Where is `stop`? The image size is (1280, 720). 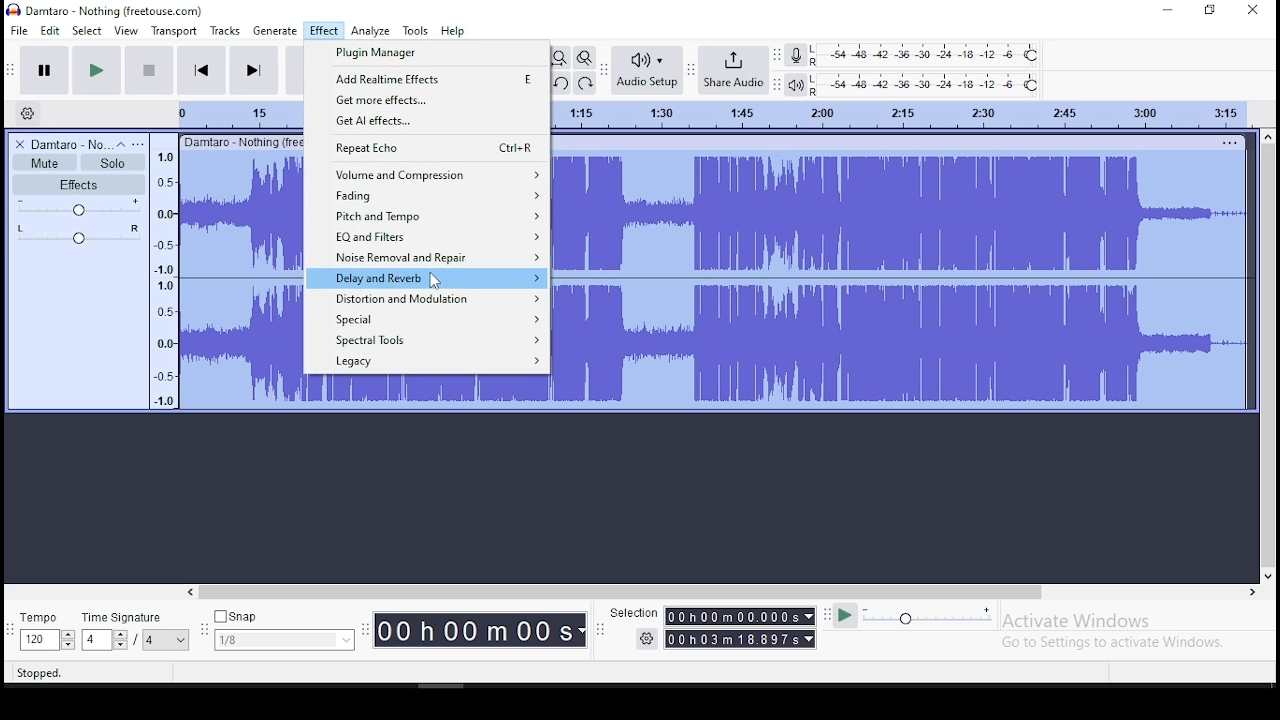
stop is located at coordinates (149, 69).